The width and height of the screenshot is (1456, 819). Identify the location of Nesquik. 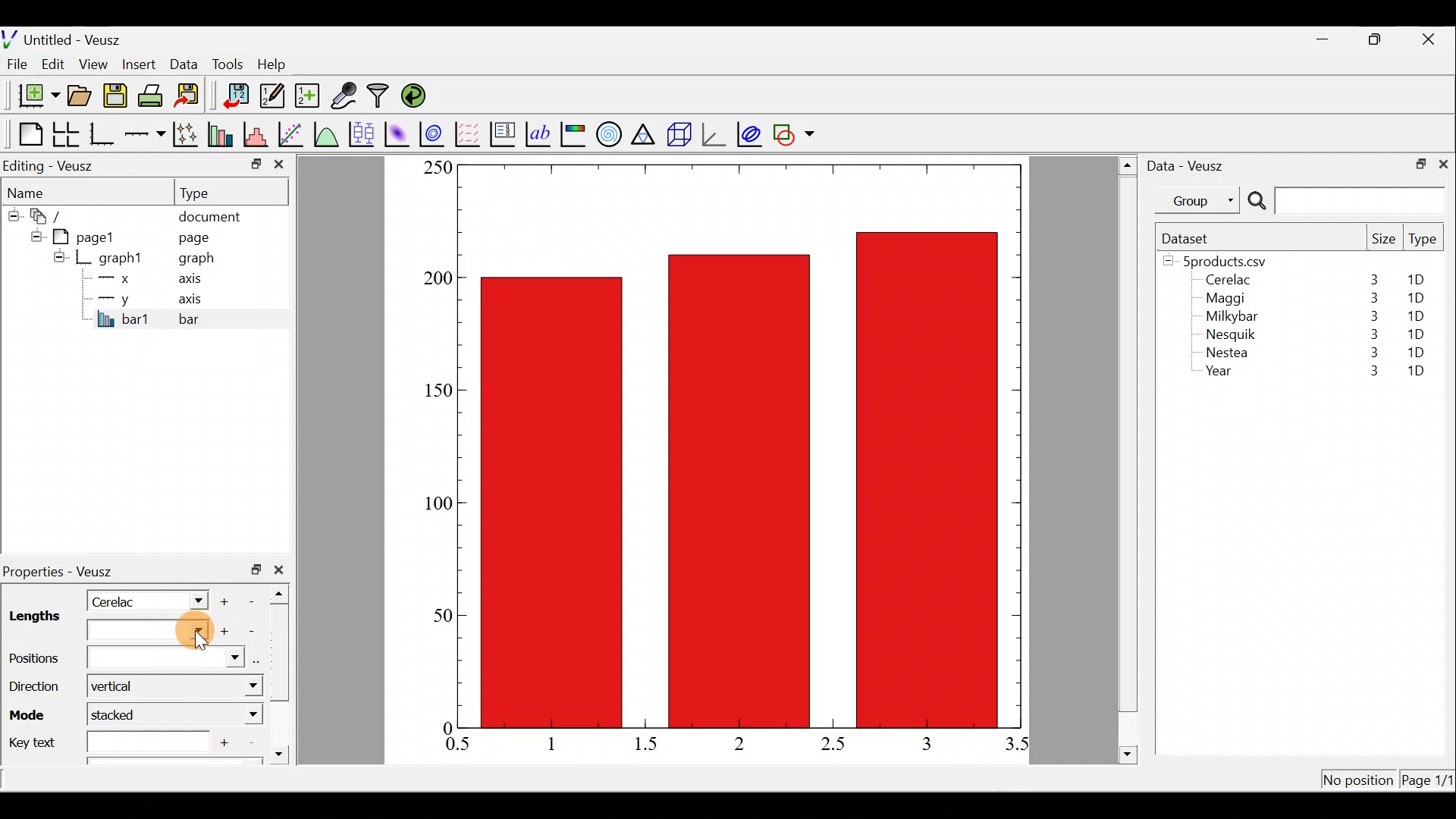
(1228, 334).